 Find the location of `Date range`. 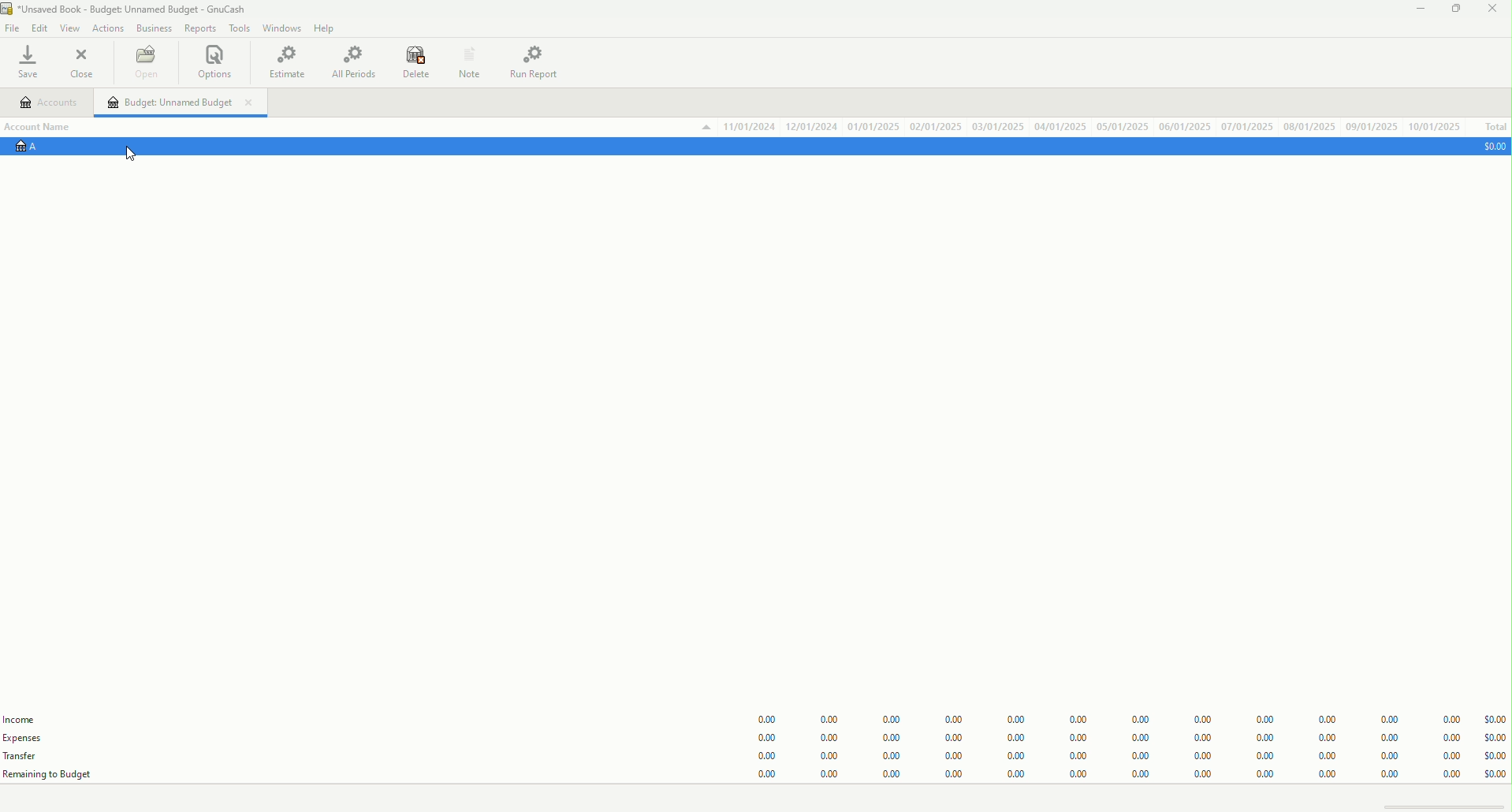

Date range is located at coordinates (1081, 127).